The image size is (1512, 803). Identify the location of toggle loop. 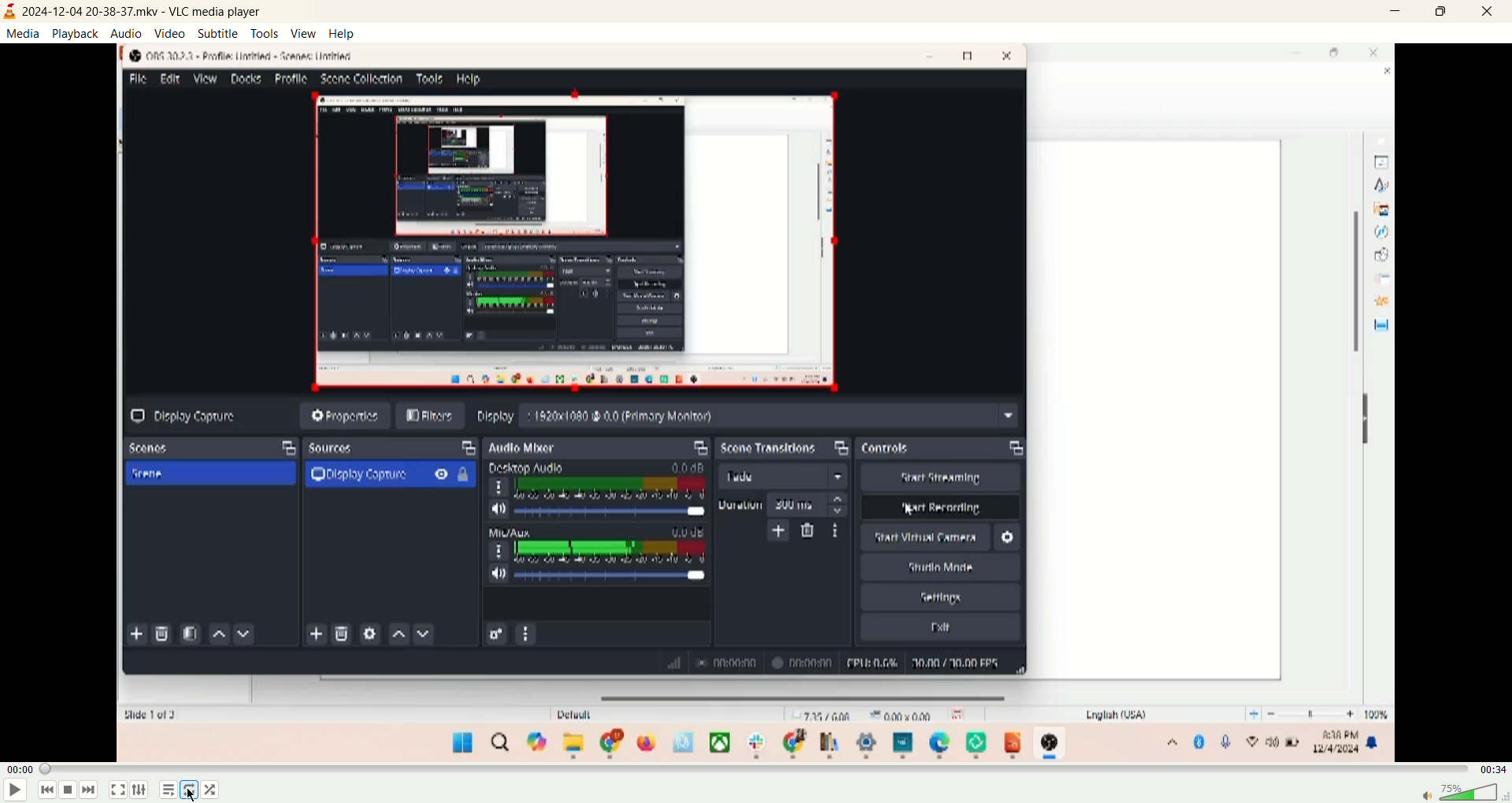
(187, 790).